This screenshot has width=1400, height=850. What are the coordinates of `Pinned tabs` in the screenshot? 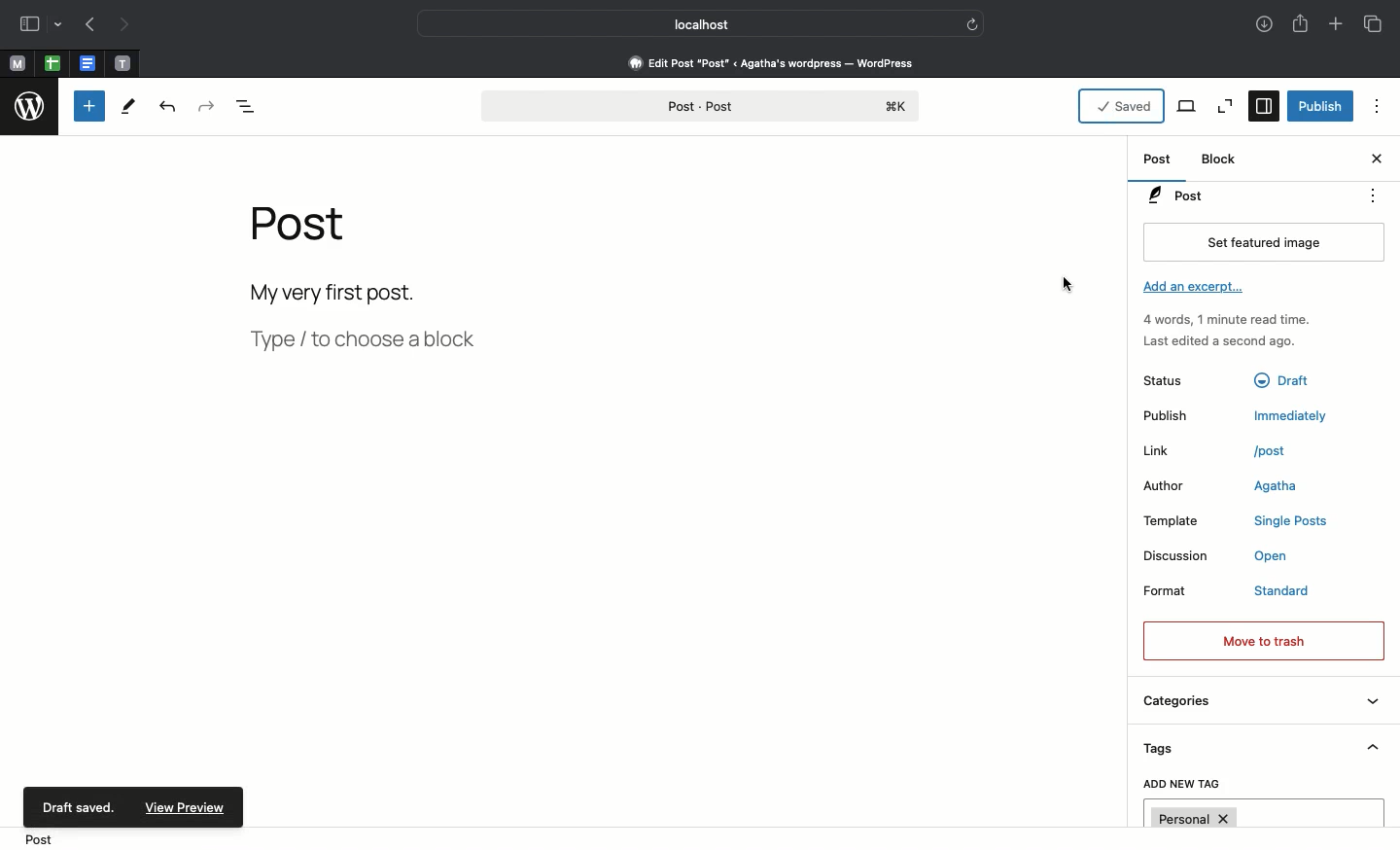 It's located at (125, 62).